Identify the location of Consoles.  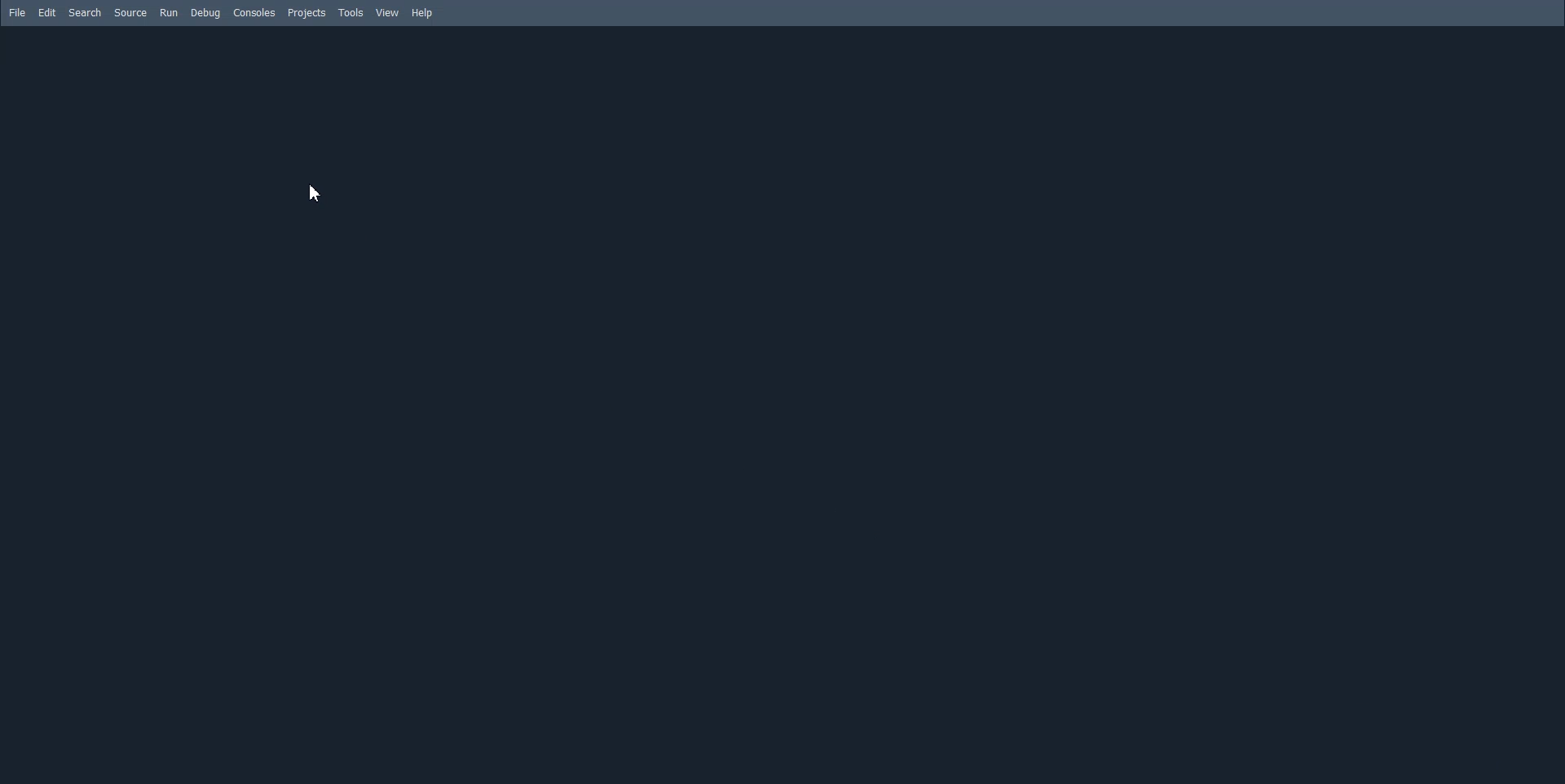
(254, 12).